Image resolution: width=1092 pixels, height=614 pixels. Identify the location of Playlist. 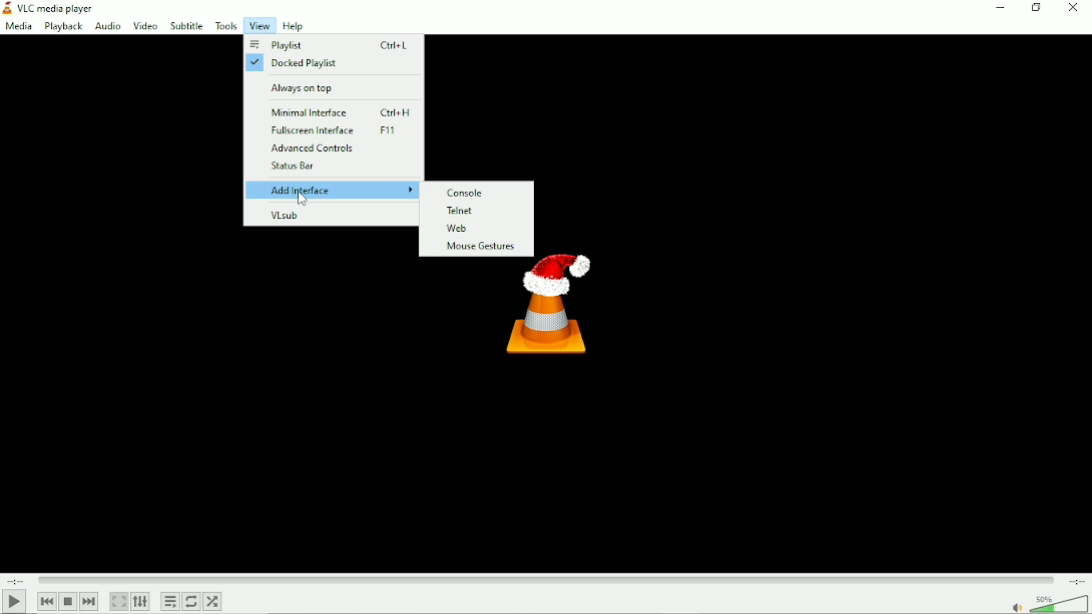
(330, 45).